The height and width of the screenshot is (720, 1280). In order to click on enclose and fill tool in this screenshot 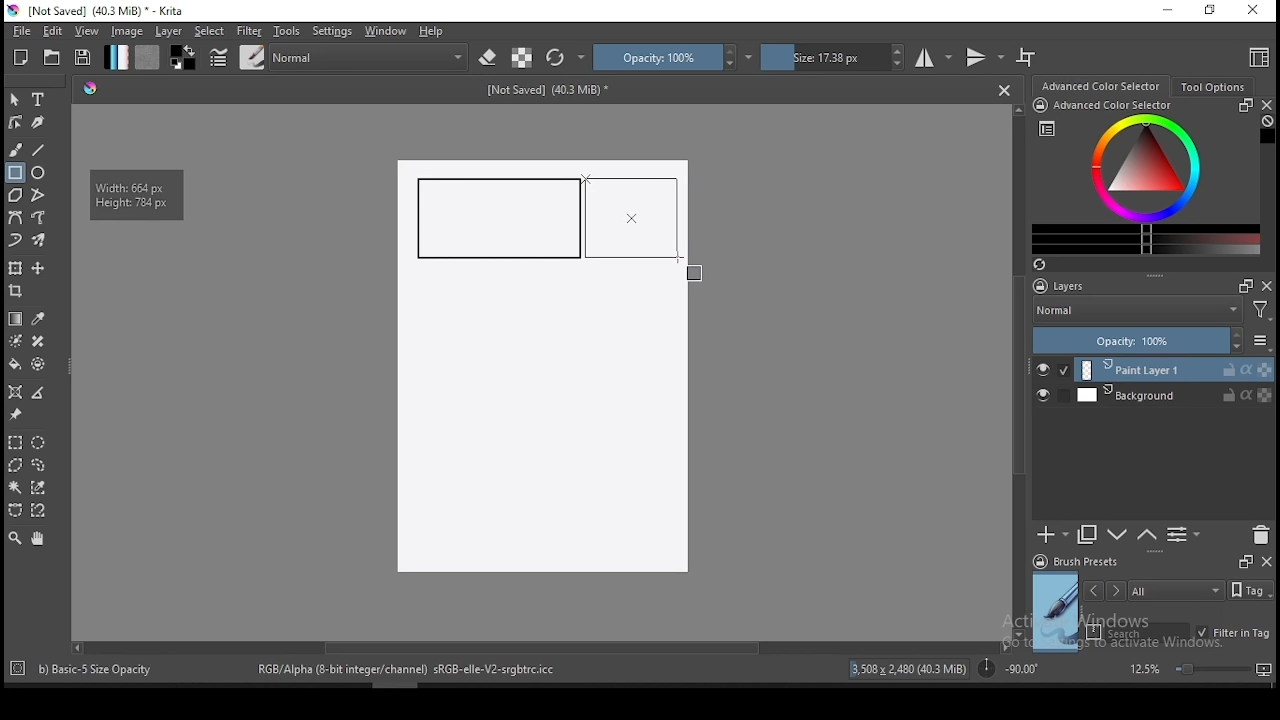, I will do `click(38, 364)`.